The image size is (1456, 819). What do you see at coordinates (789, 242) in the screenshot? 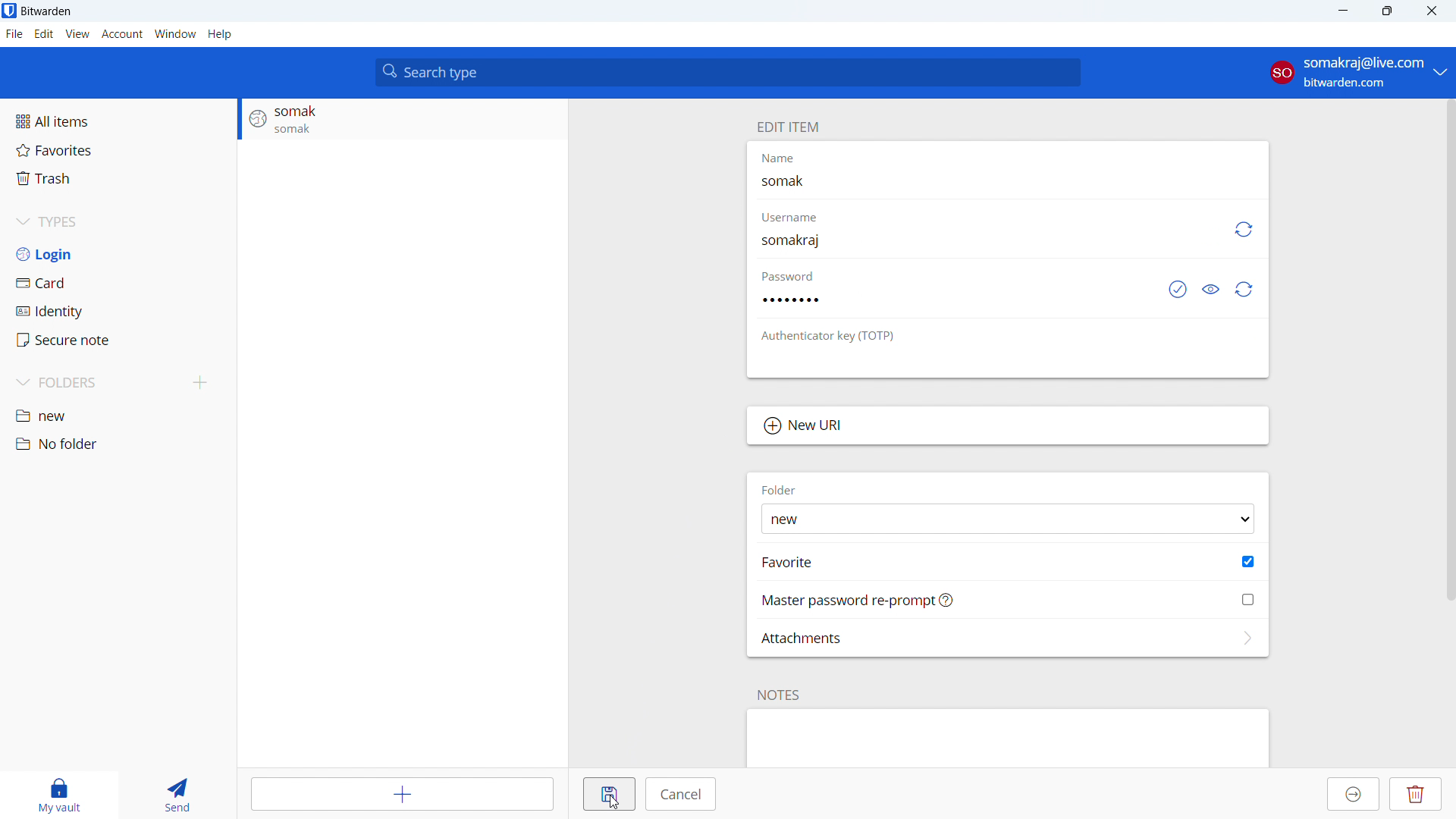
I see `edited username` at bounding box center [789, 242].